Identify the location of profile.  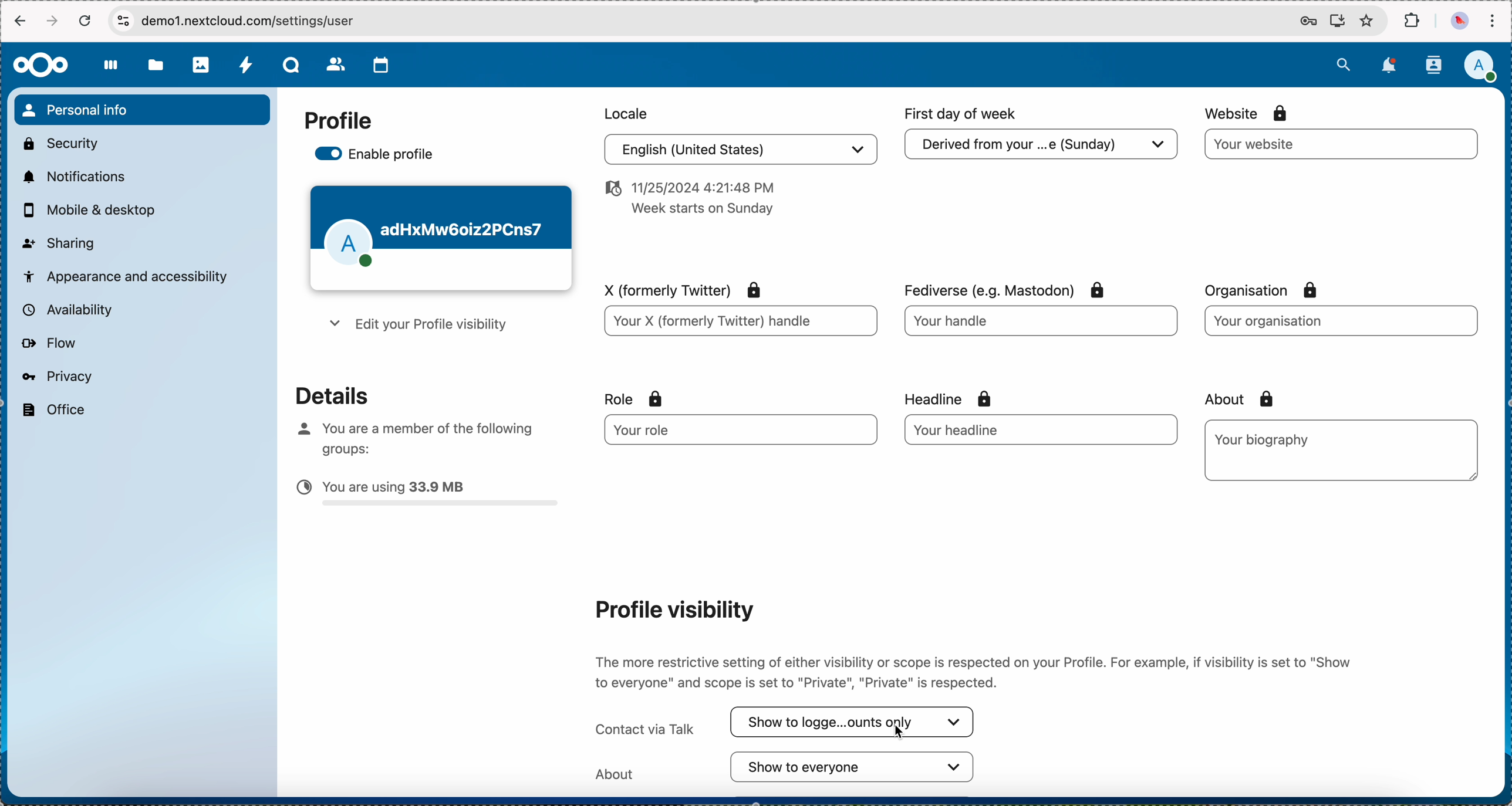
(338, 121).